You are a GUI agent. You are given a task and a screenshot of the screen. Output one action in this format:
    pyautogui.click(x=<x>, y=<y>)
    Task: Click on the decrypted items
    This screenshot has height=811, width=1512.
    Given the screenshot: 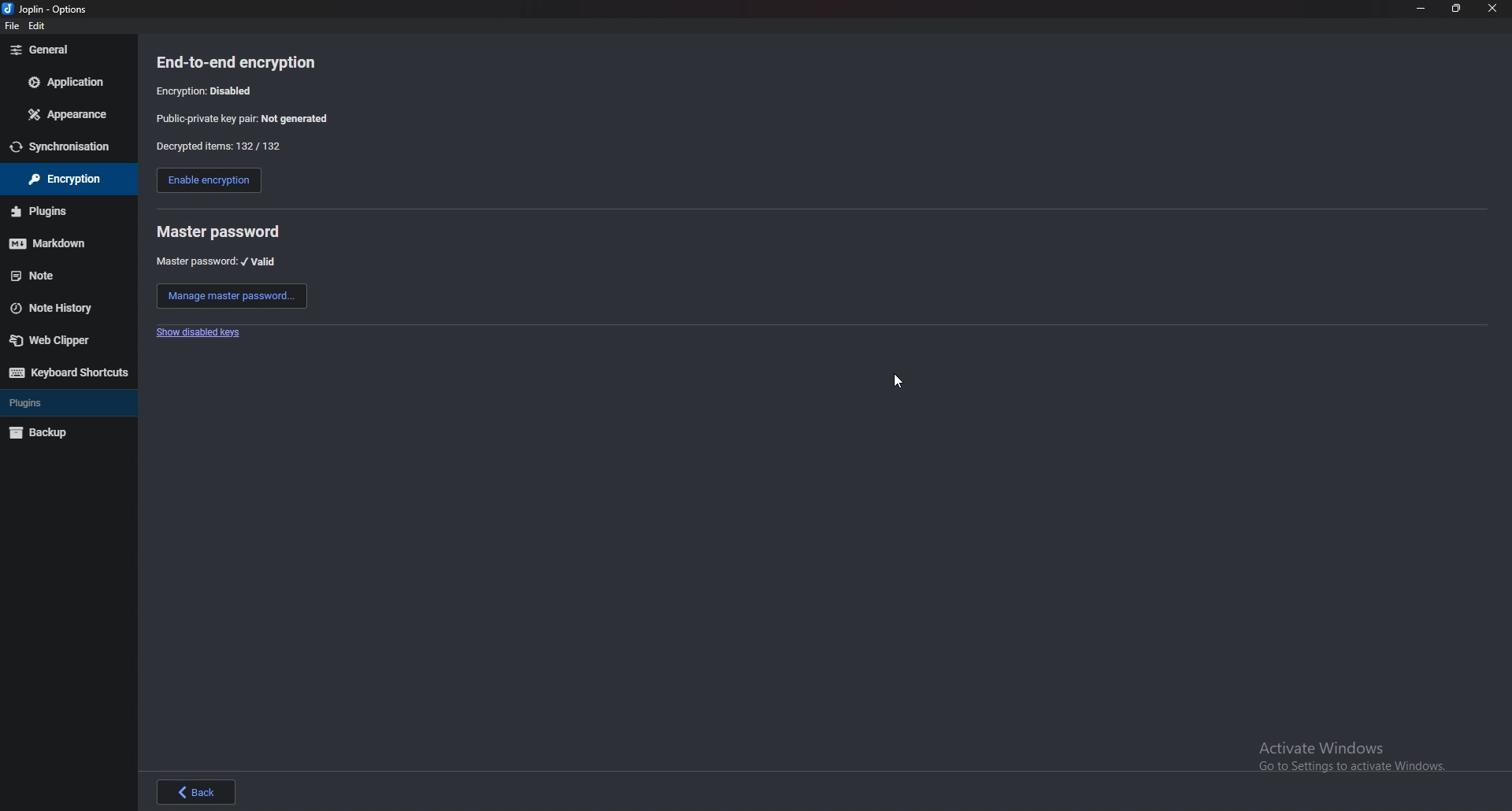 What is the action you would take?
    pyautogui.click(x=217, y=146)
    